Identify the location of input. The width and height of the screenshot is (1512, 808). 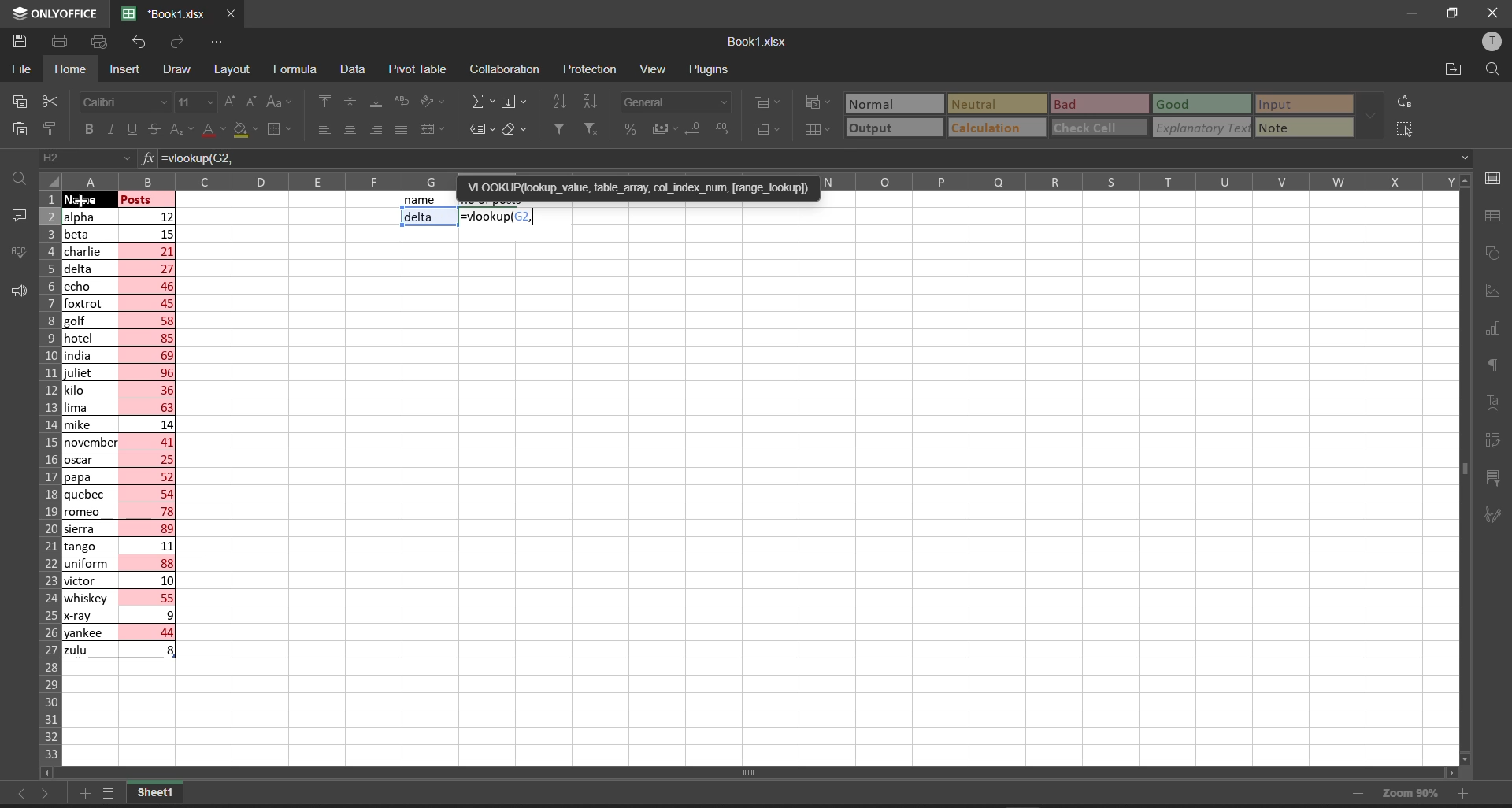
(1283, 102).